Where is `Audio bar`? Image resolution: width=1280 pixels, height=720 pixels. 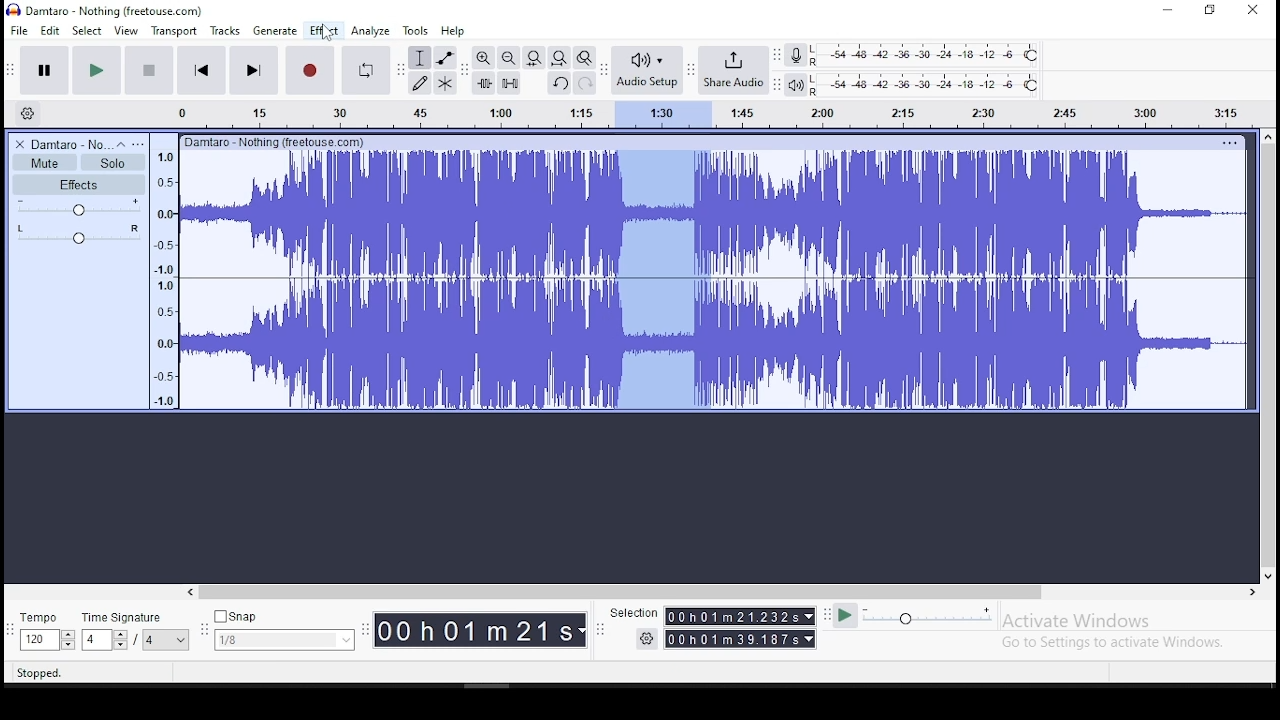 Audio bar is located at coordinates (694, 111).